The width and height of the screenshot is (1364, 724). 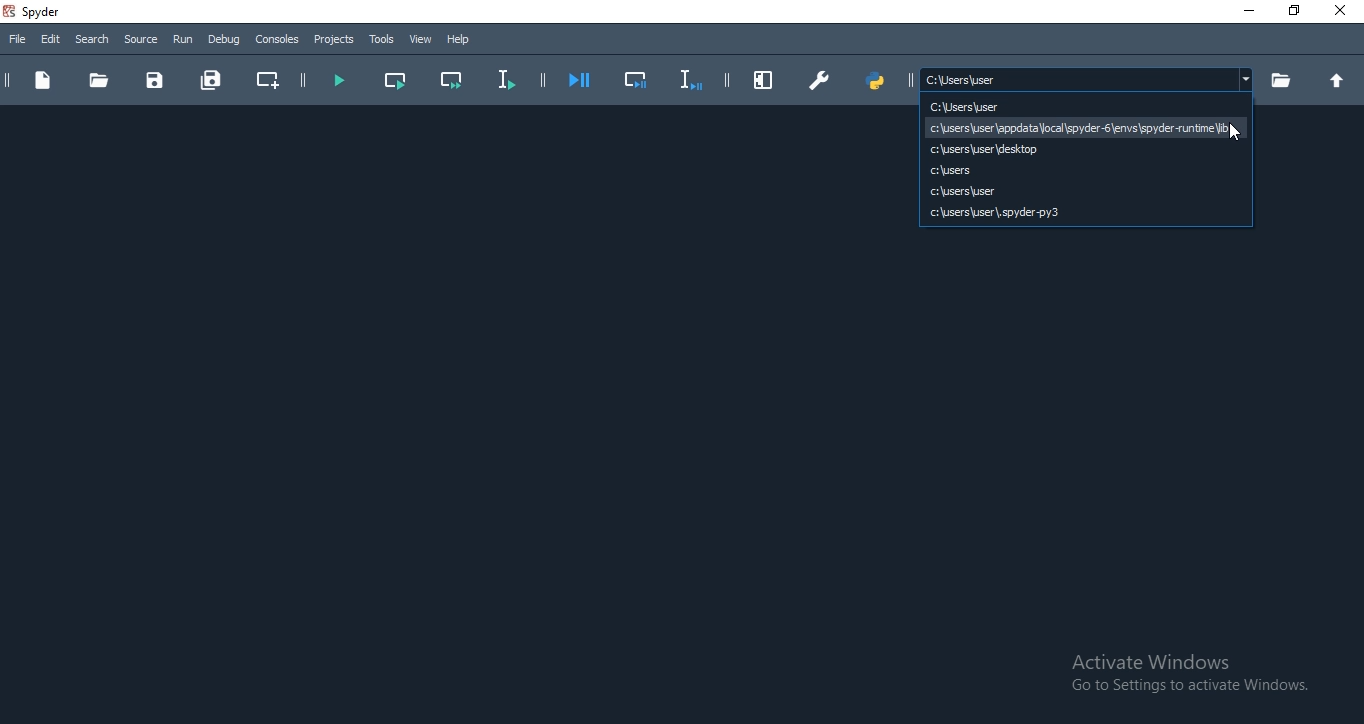 What do you see at coordinates (1294, 12) in the screenshot?
I see `Restore` at bounding box center [1294, 12].